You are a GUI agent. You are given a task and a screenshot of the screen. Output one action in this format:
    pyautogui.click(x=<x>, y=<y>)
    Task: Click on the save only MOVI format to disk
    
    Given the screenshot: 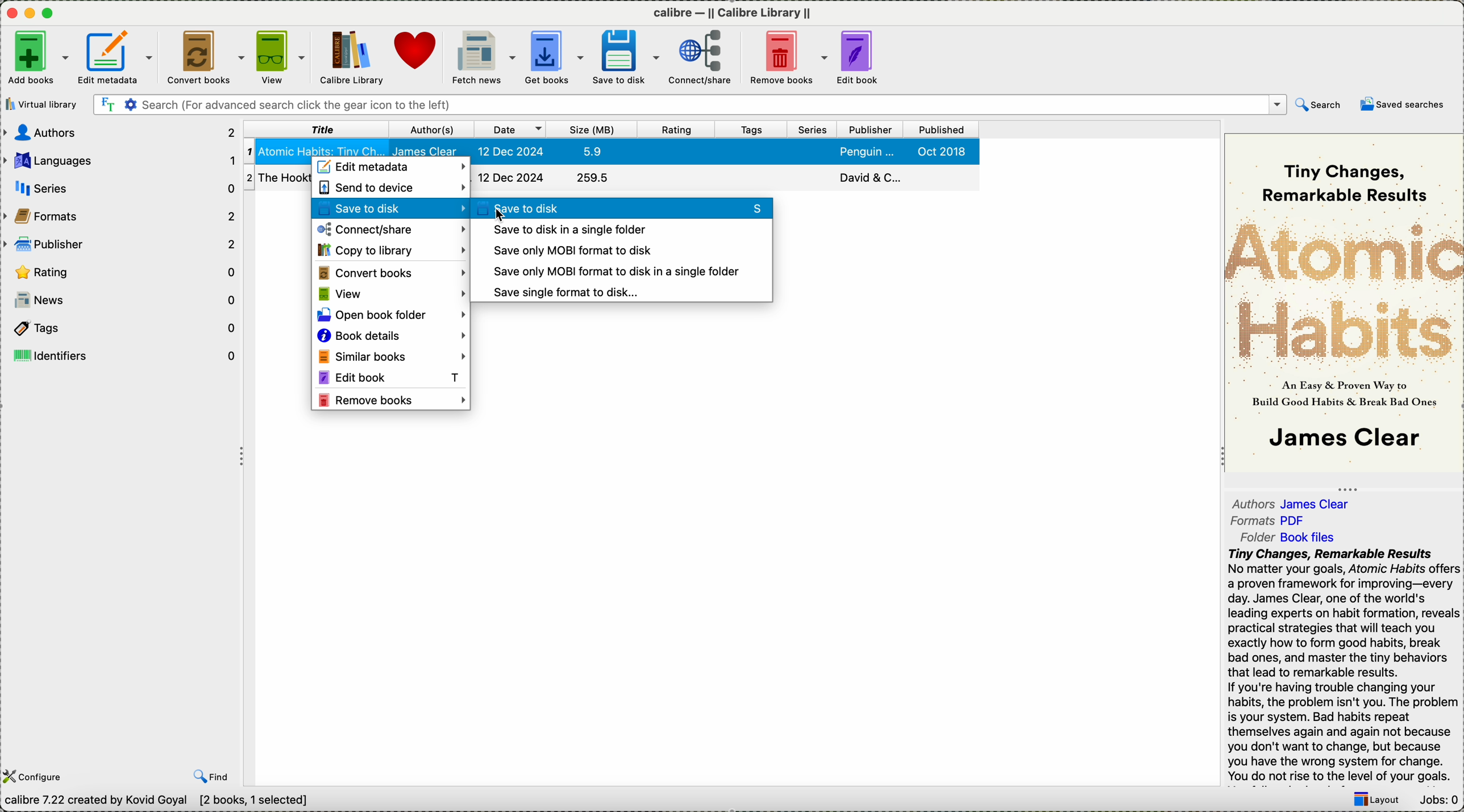 What is the action you would take?
    pyautogui.click(x=569, y=251)
    